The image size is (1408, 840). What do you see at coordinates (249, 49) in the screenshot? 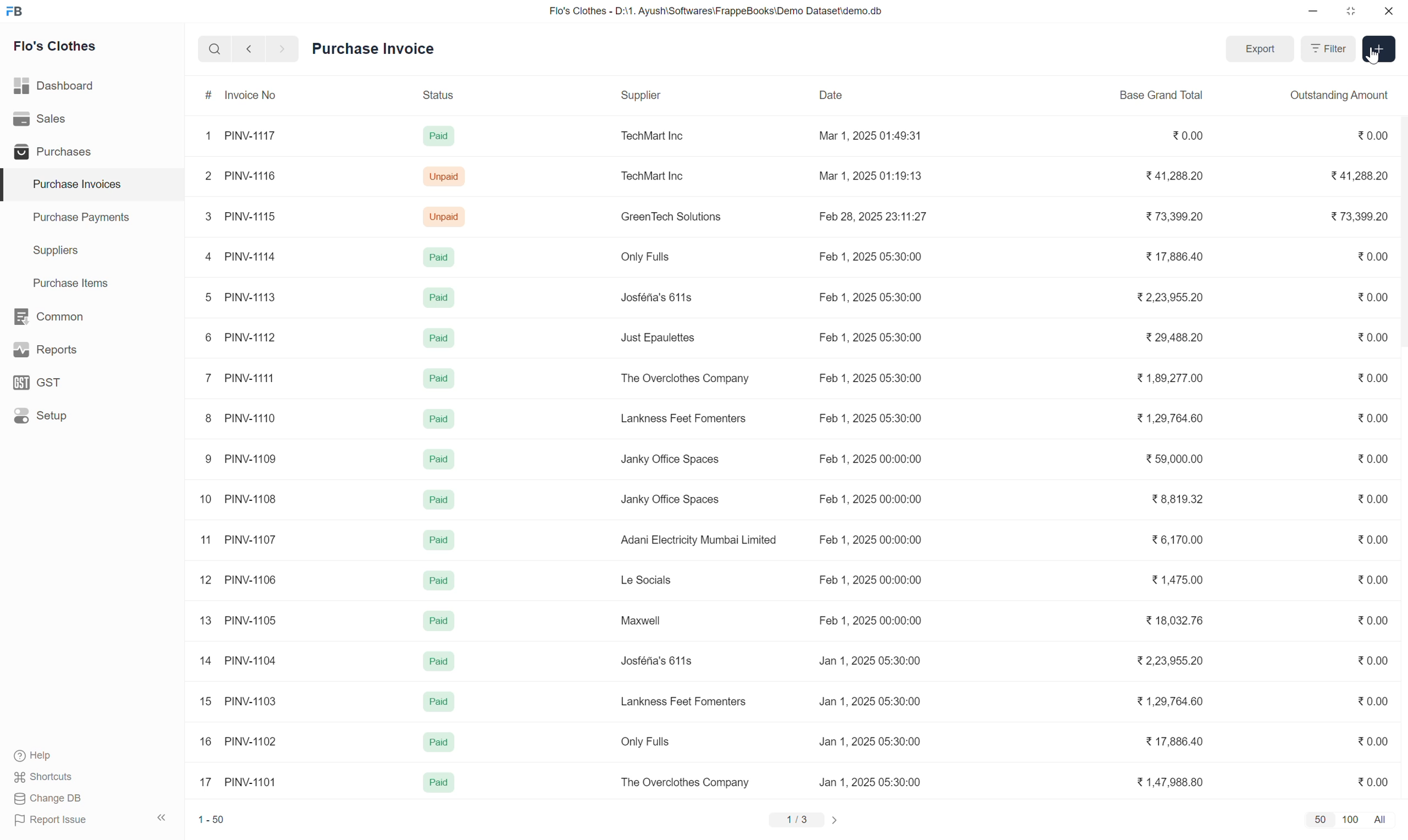
I see `Previous` at bounding box center [249, 49].